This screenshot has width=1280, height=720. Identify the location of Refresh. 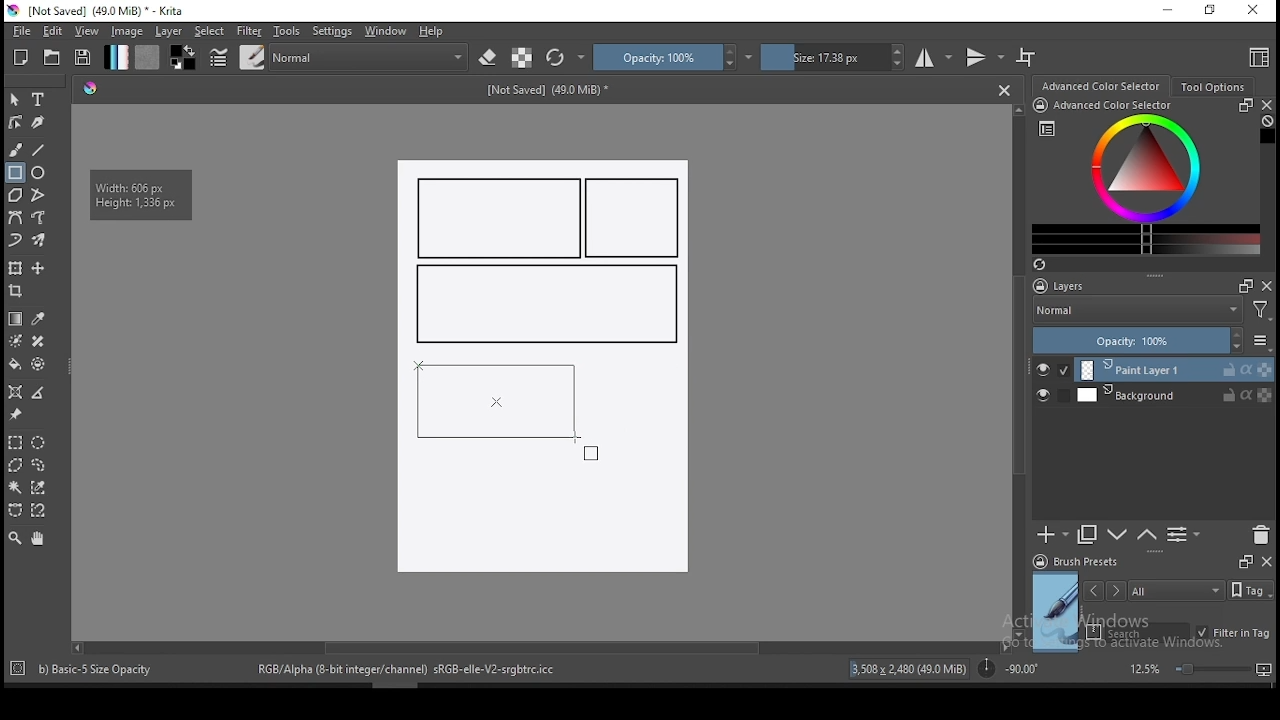
(1047, 266).